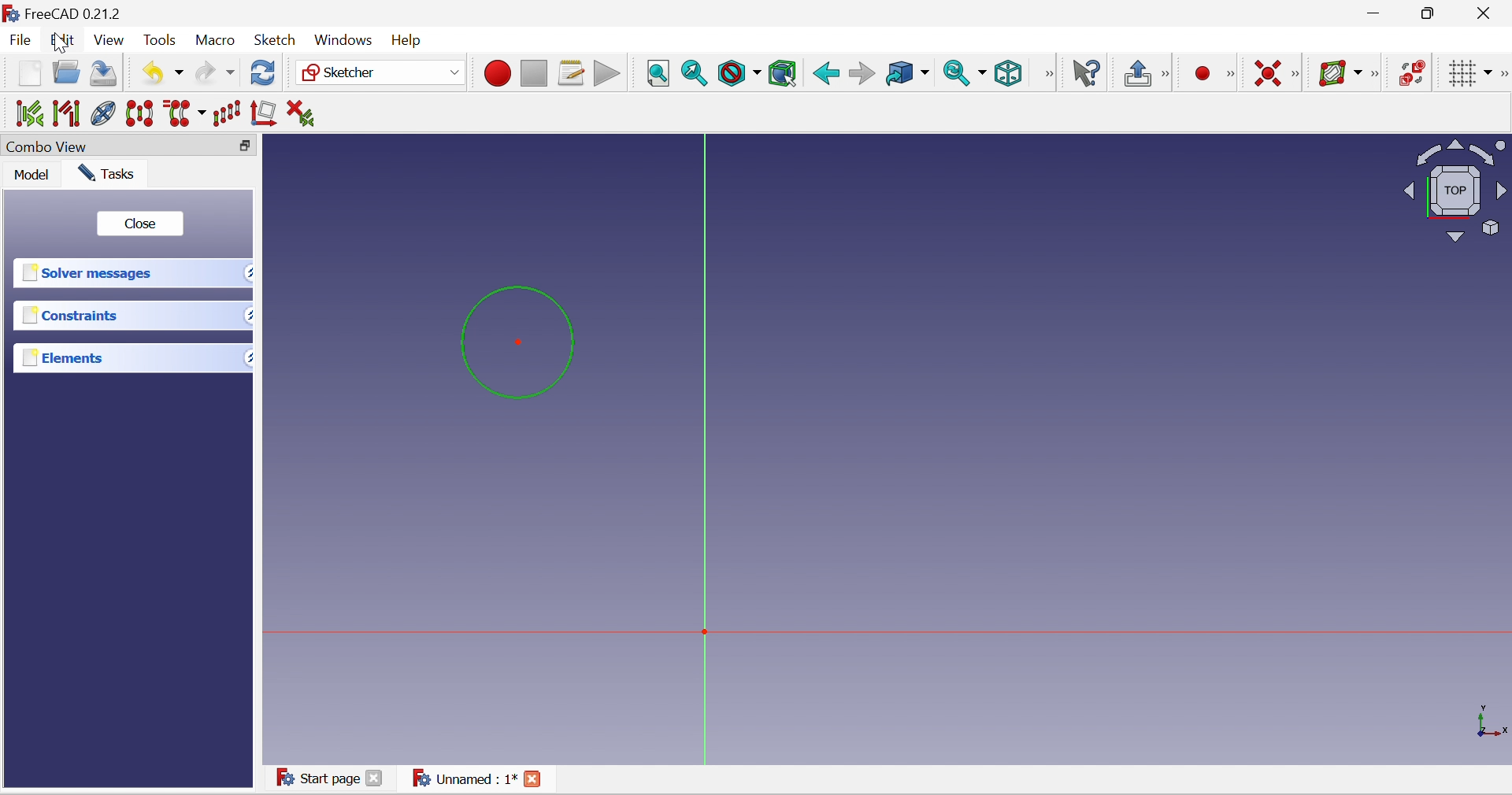  What do you see at coordinates (739, 75) in the screenshot?
I see `Draw style` at bounding box center [739, 75].